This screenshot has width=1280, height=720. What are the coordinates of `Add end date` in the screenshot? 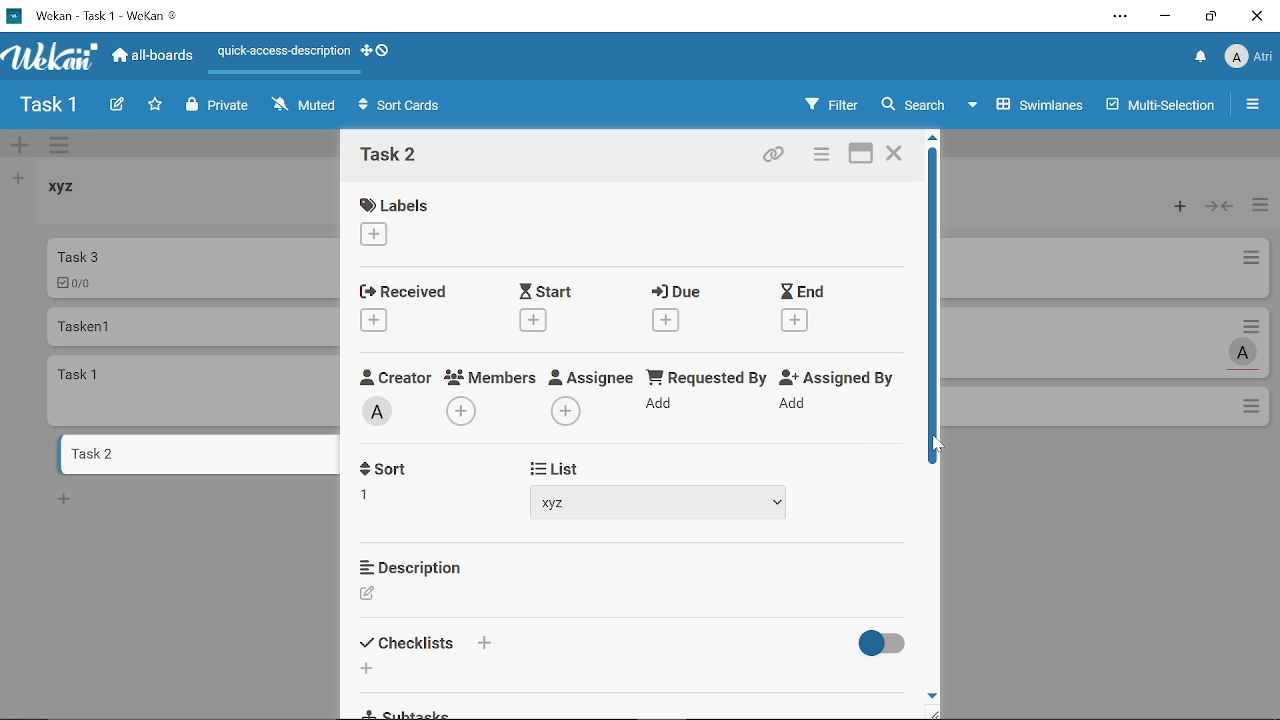 It's located at (795, 320).